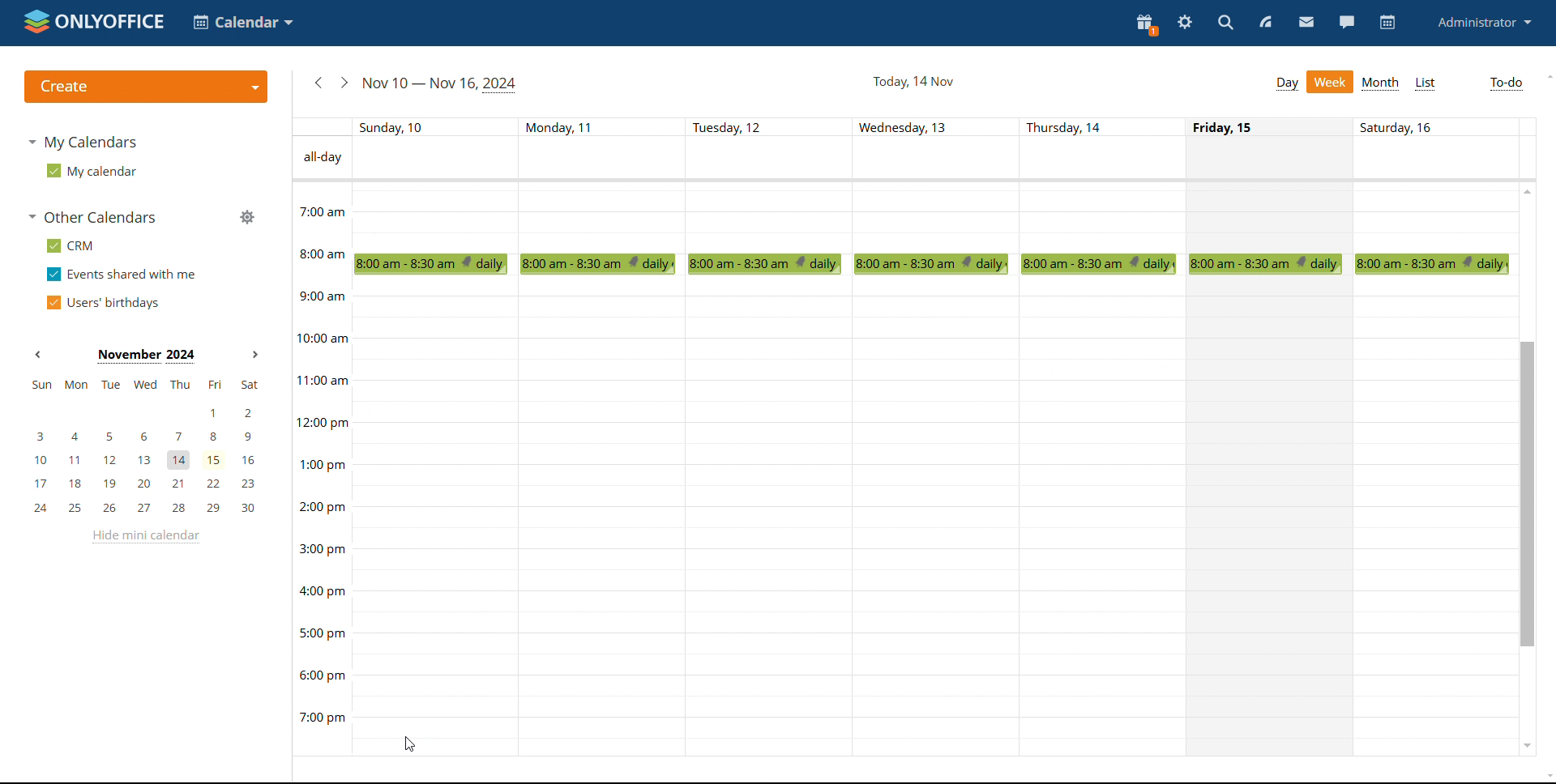 The image size is (1556, 784). Describe the element at coordinates (1525, 492) in the screenshot. I see `scroll bar` at that location.